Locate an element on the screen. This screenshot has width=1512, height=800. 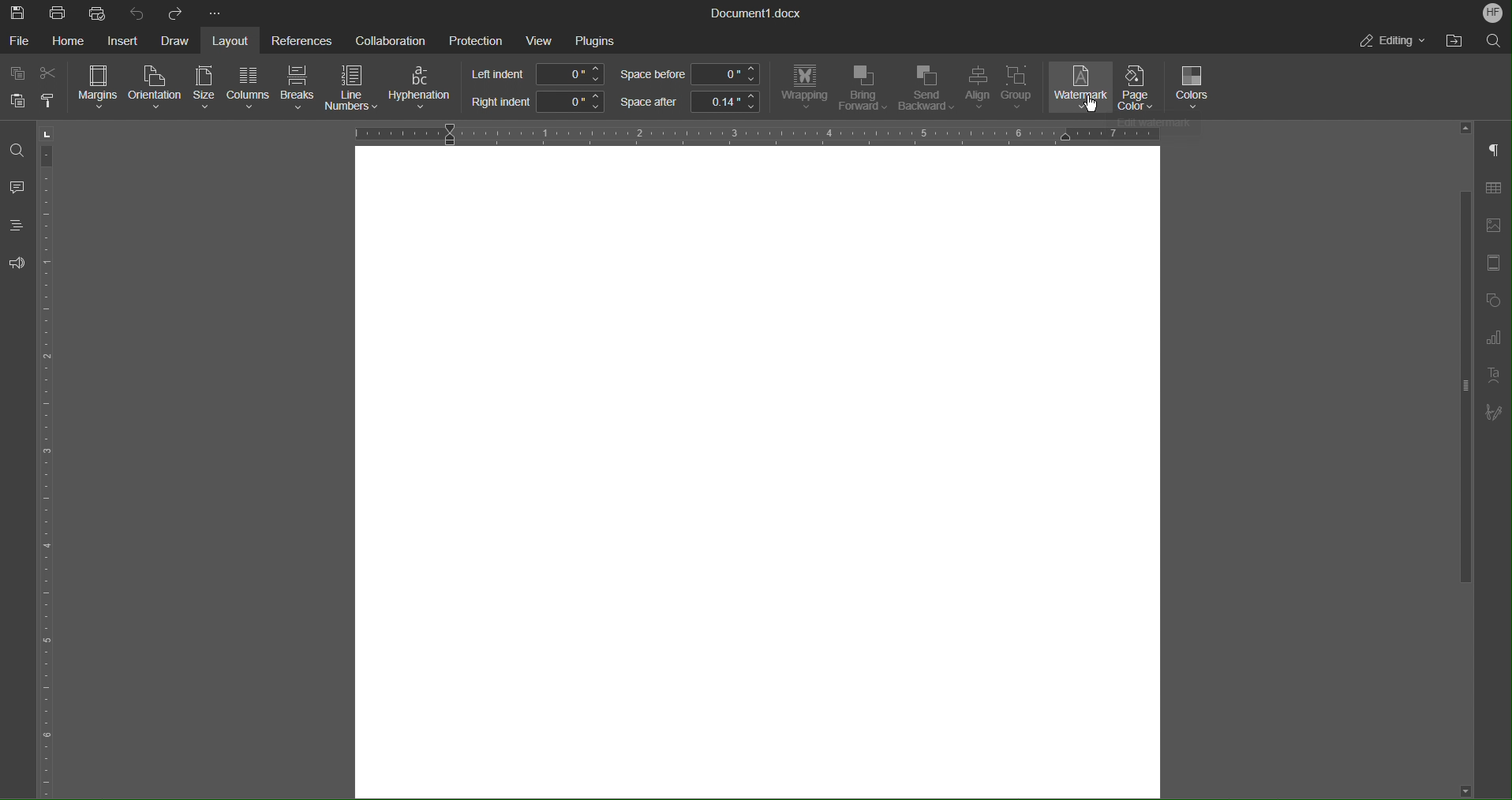
Comment is located at coordinates (17, 189).